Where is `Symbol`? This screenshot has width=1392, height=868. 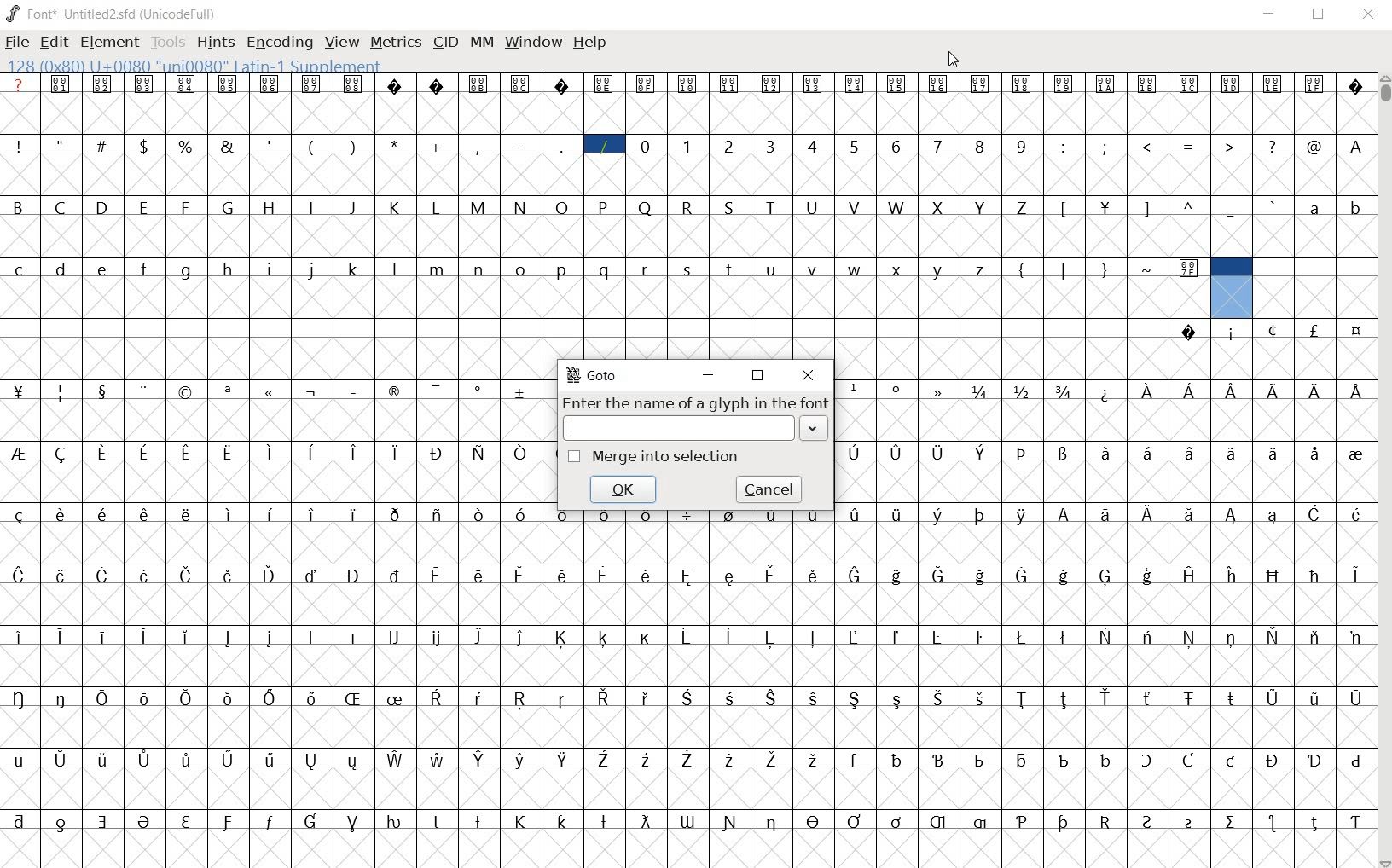 Symbol is located at coordinates (774, 514).